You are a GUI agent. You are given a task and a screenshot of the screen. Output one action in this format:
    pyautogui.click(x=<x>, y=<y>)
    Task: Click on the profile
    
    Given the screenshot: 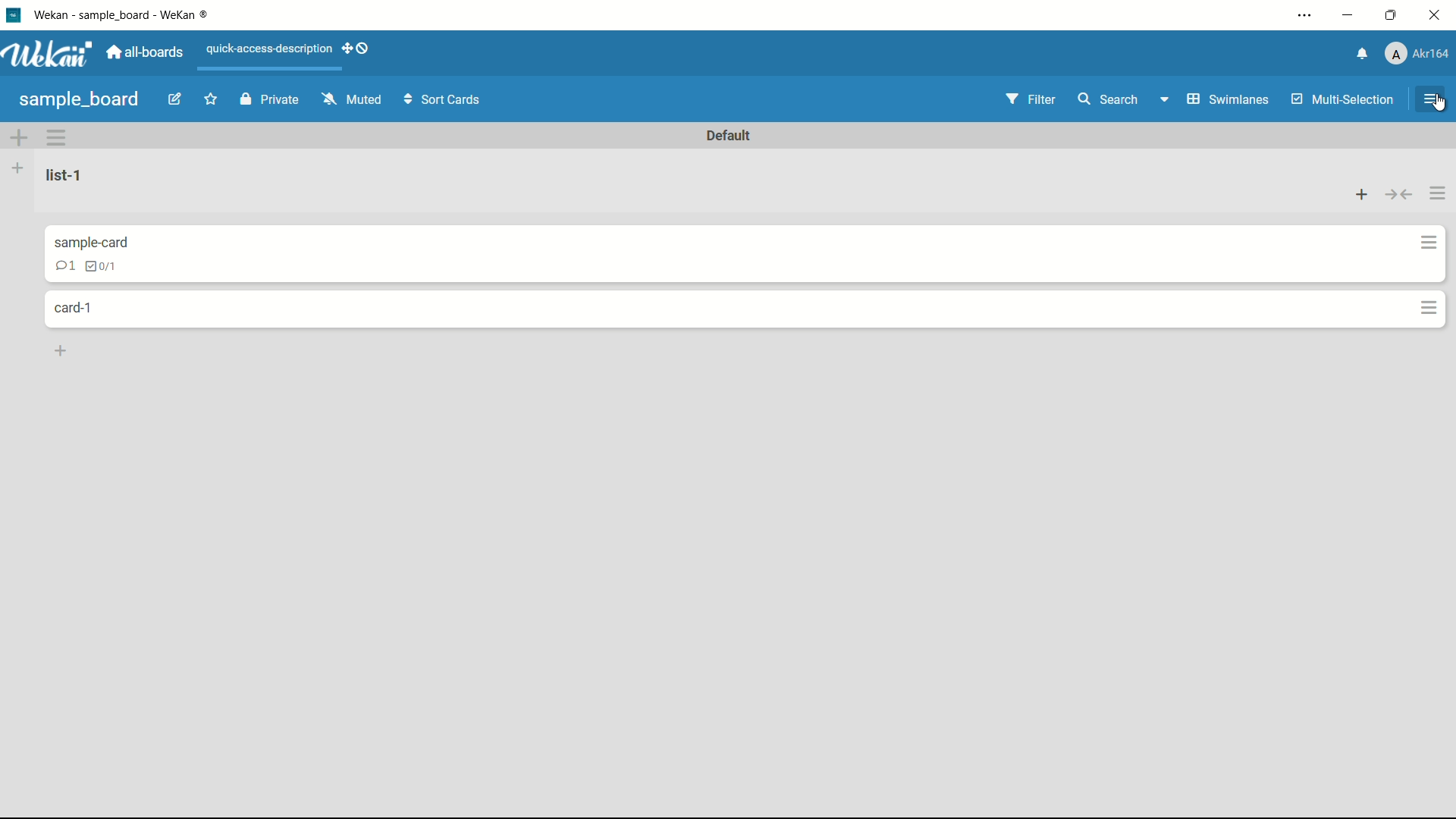 What is the action you would take?
    pyautogui.click(x=1420, y=55)
    